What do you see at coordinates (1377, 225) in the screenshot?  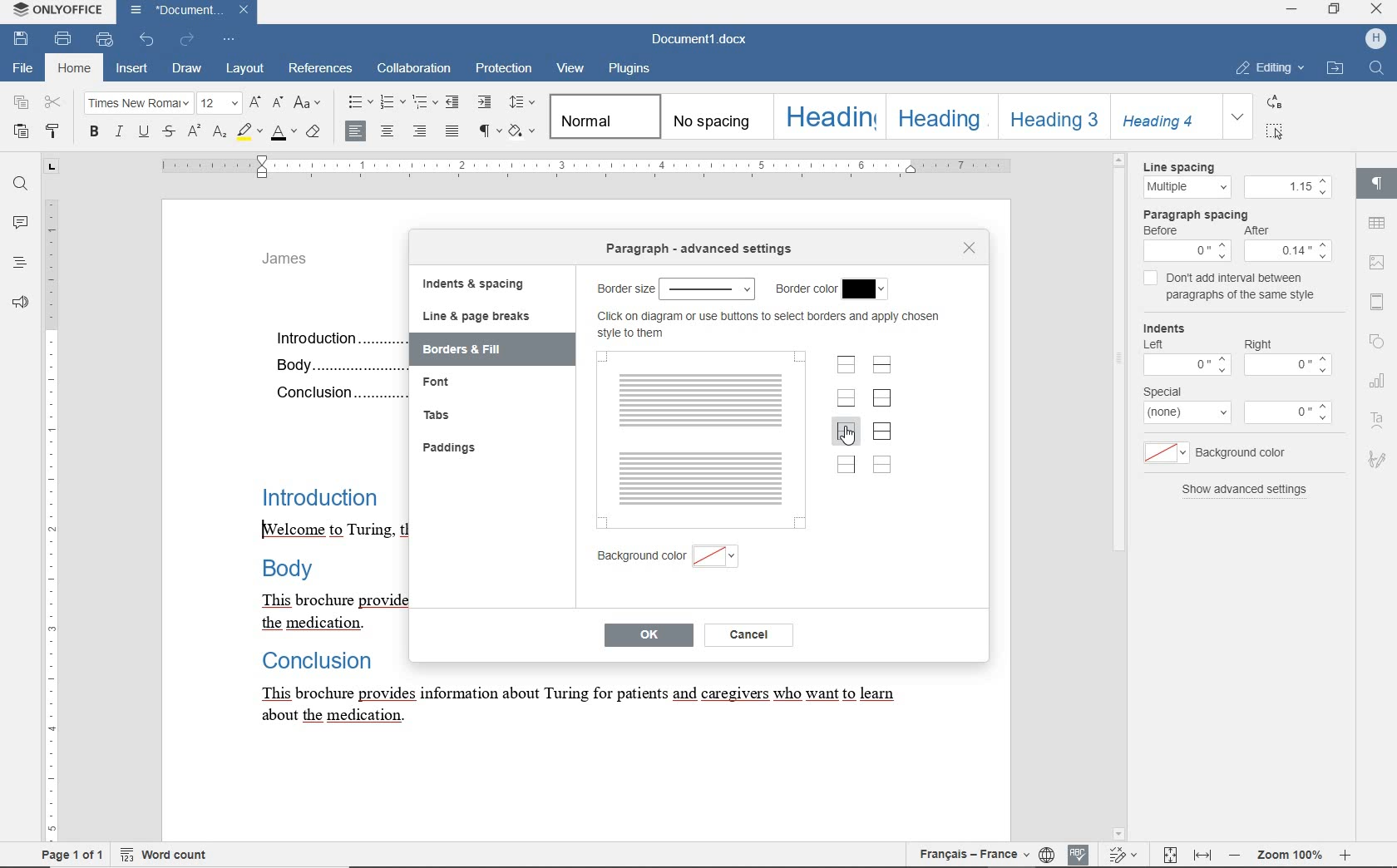 I see `table` at bounding box center [1377, 225].